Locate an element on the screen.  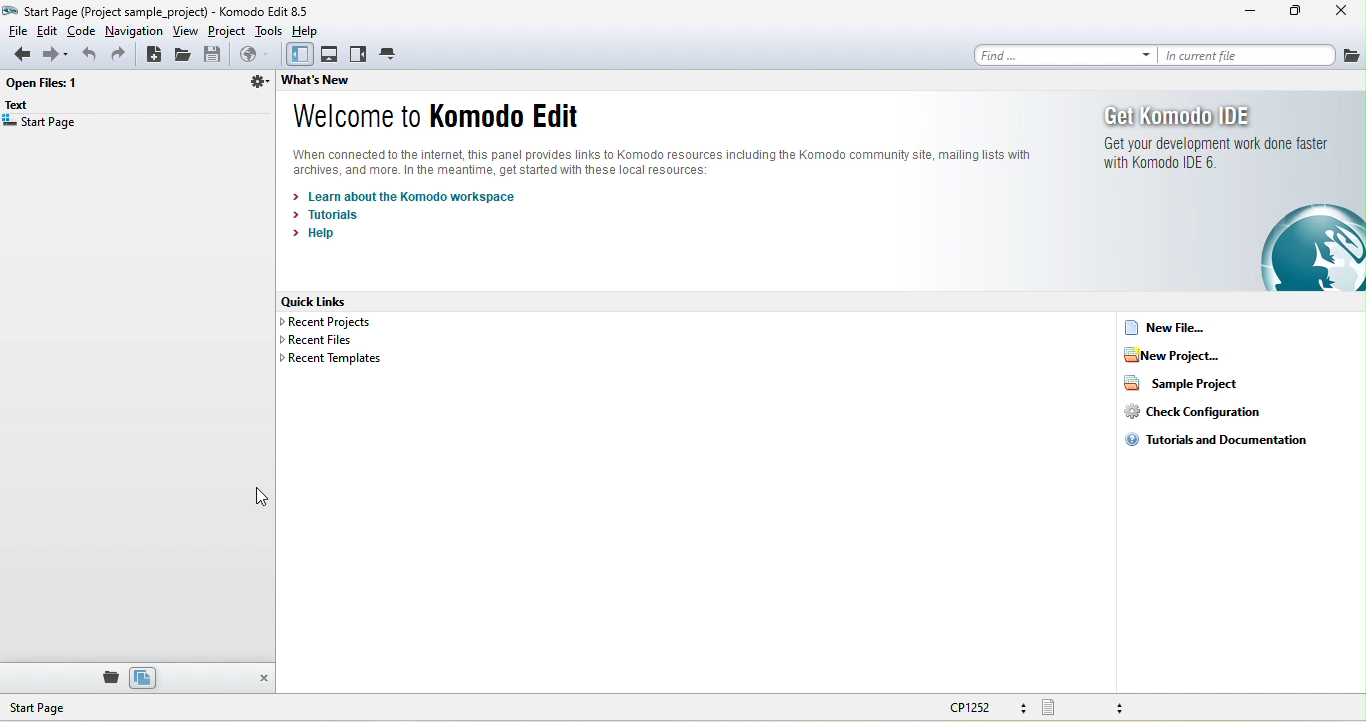
right pane is located at coordinates (359, 55).